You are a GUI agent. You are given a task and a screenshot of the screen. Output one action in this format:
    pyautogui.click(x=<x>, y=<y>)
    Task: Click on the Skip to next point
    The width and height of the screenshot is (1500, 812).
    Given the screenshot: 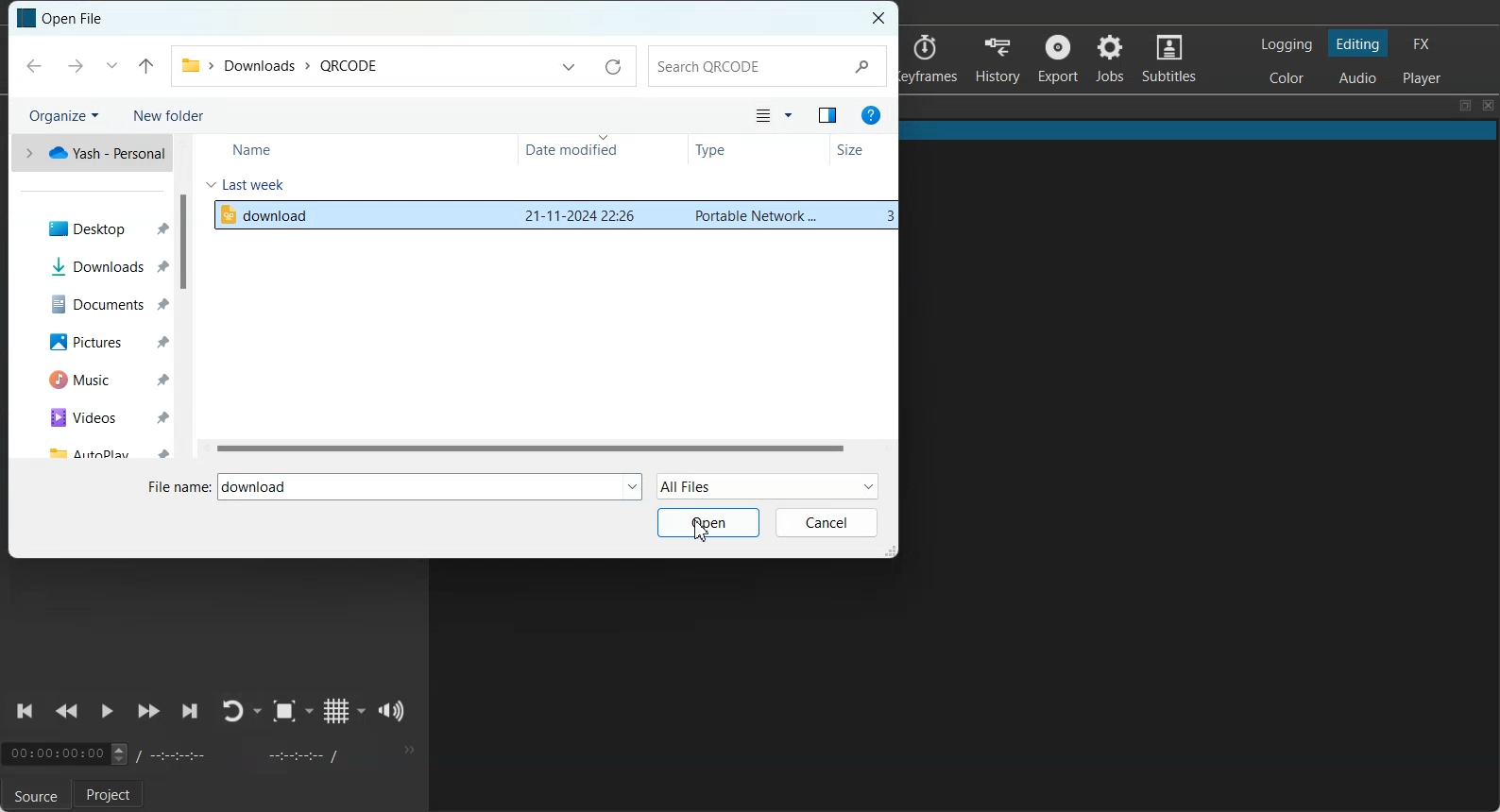 What is the action you would take?
    pyautogui.click(x=191, y=712)
    